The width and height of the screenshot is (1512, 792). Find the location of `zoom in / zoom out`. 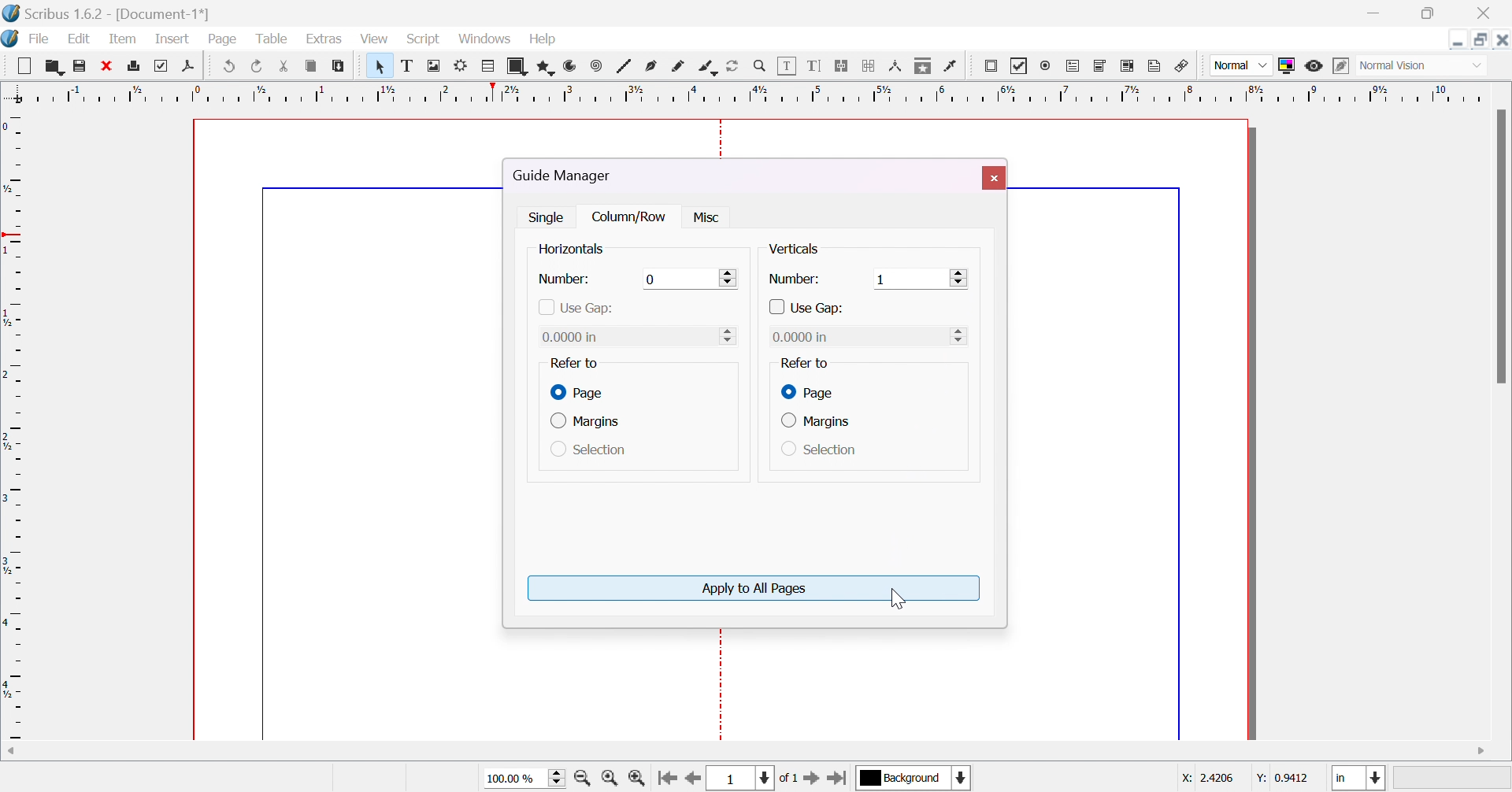

zoom in / zoom out is located at coordinates (761, 67).